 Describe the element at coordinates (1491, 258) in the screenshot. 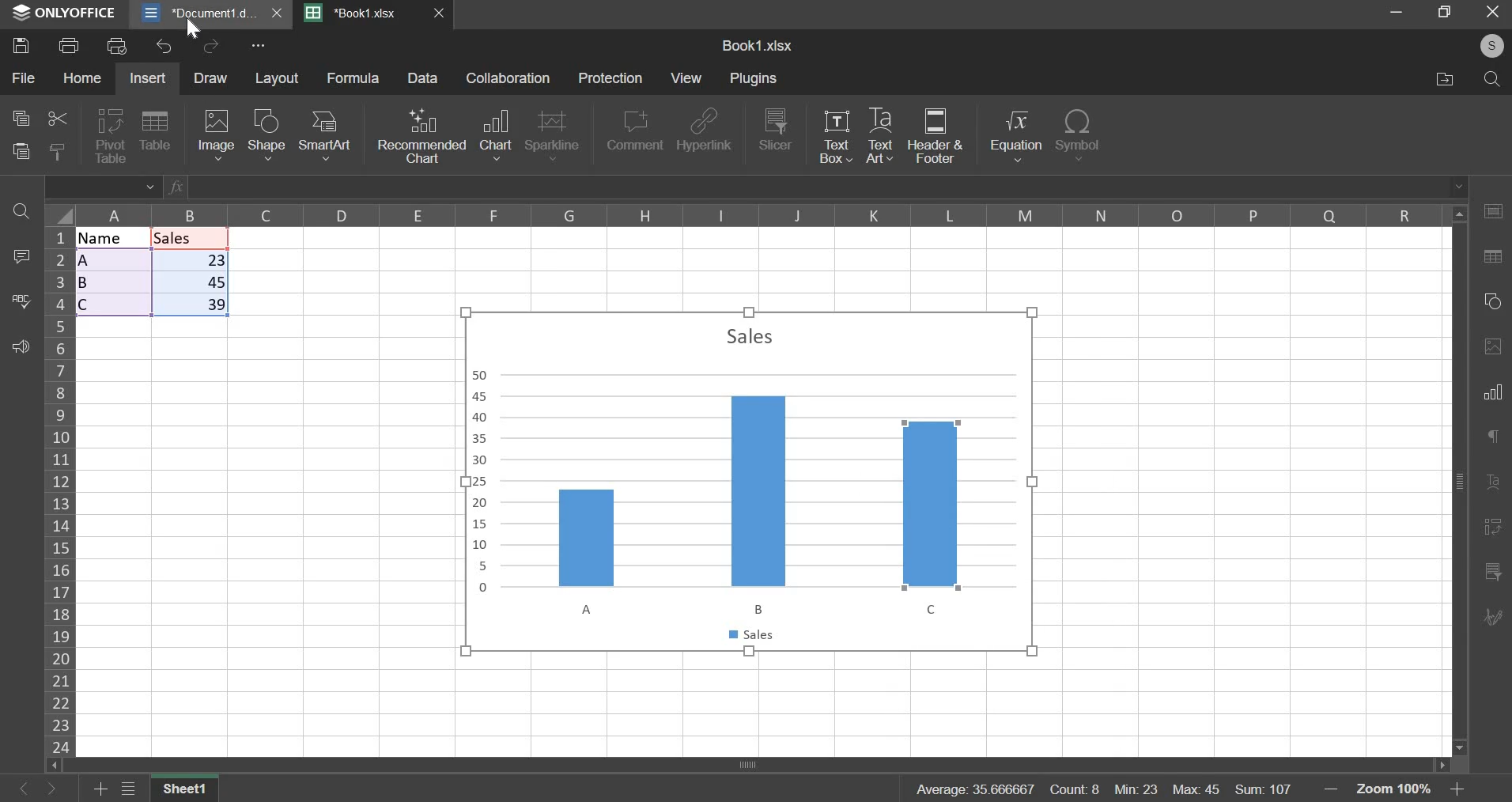

I see `Search/Replace Tool` at that location.